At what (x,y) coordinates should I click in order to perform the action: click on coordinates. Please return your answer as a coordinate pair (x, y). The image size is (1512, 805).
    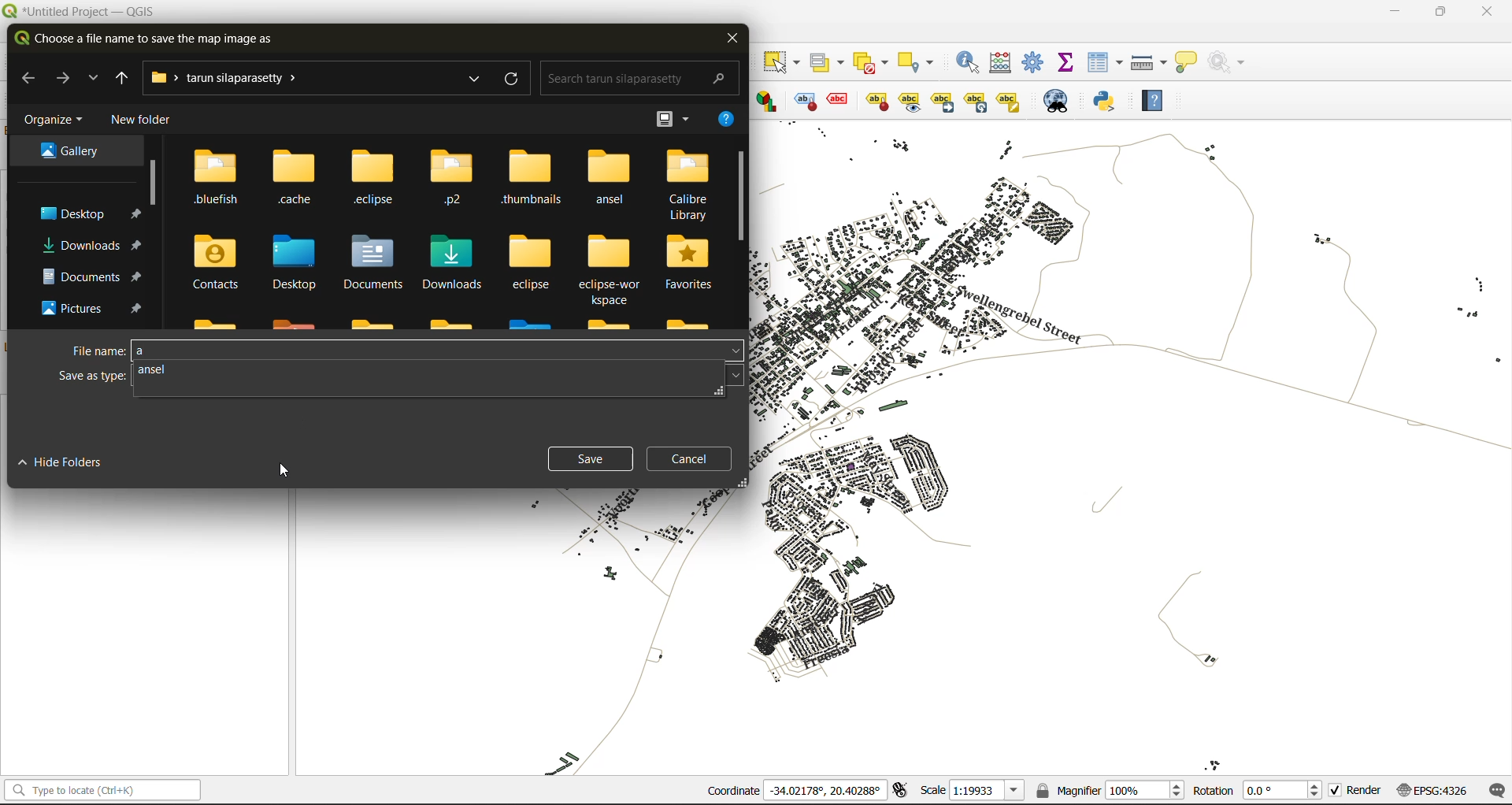
    Looking at the image, I should click on (795, 792).